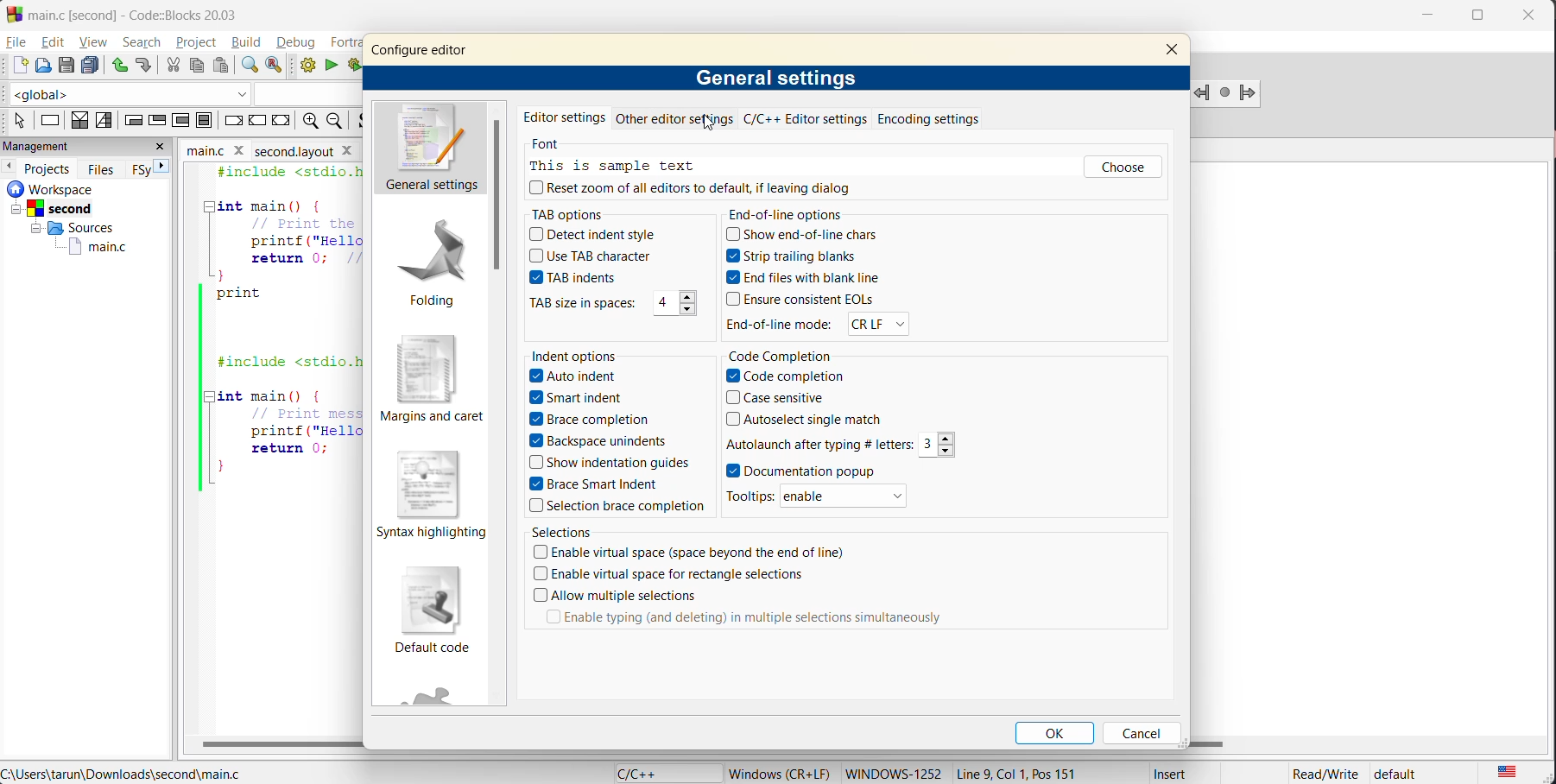 The image size is (1556, 784). I want to click on cursor, so click(701, 128).